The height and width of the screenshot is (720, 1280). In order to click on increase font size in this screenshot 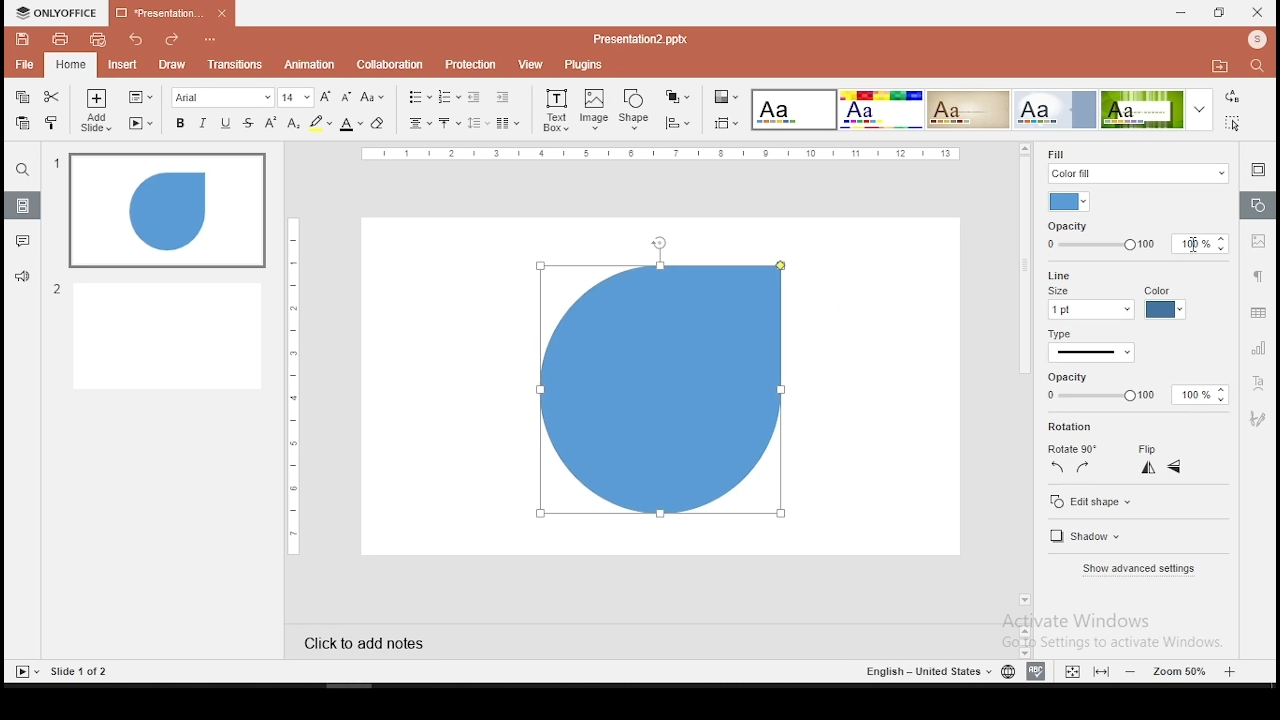, I will do `click(326, 96)`.